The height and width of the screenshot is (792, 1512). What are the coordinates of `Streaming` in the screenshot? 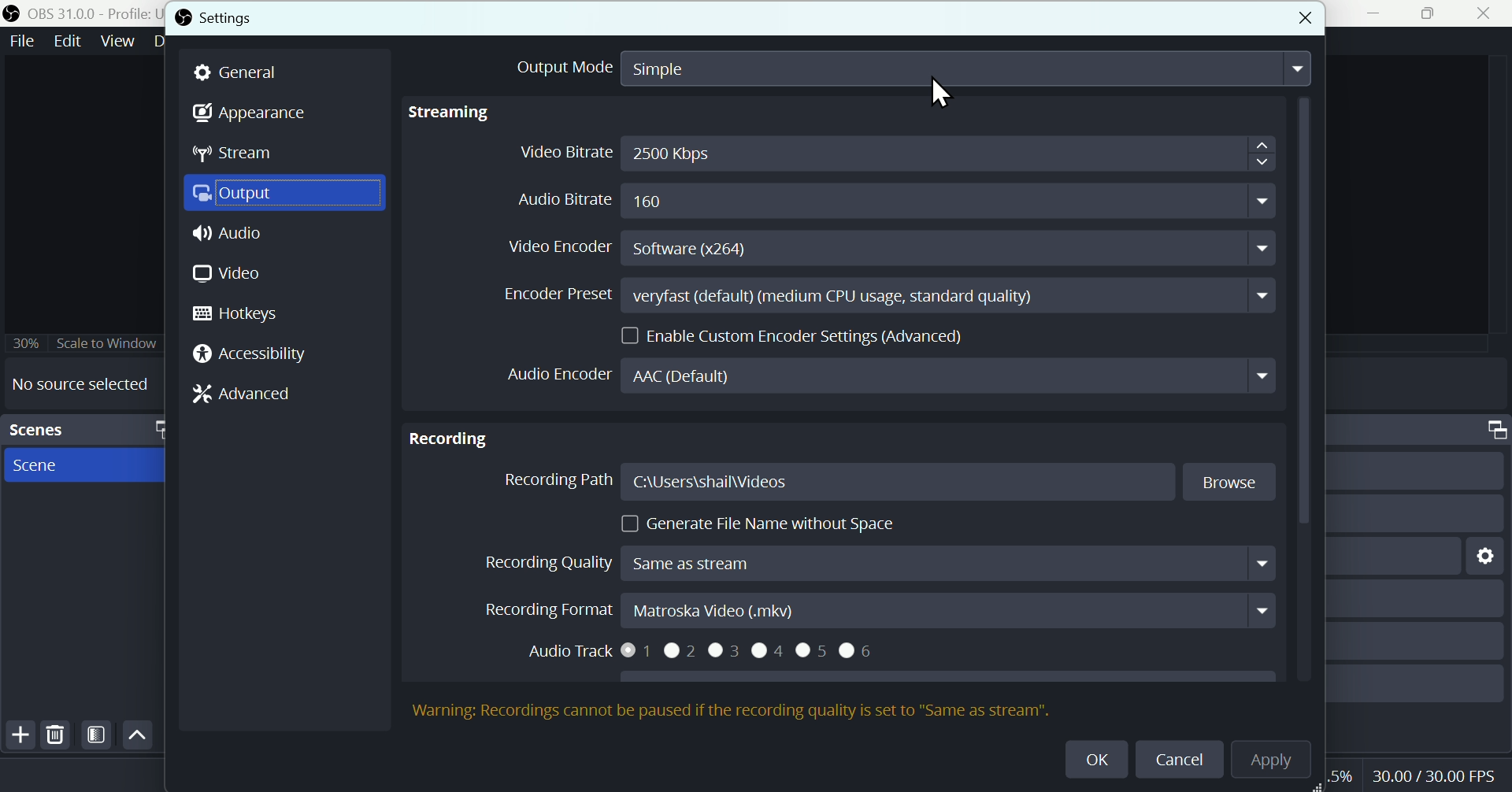 It's located at (498, 117).